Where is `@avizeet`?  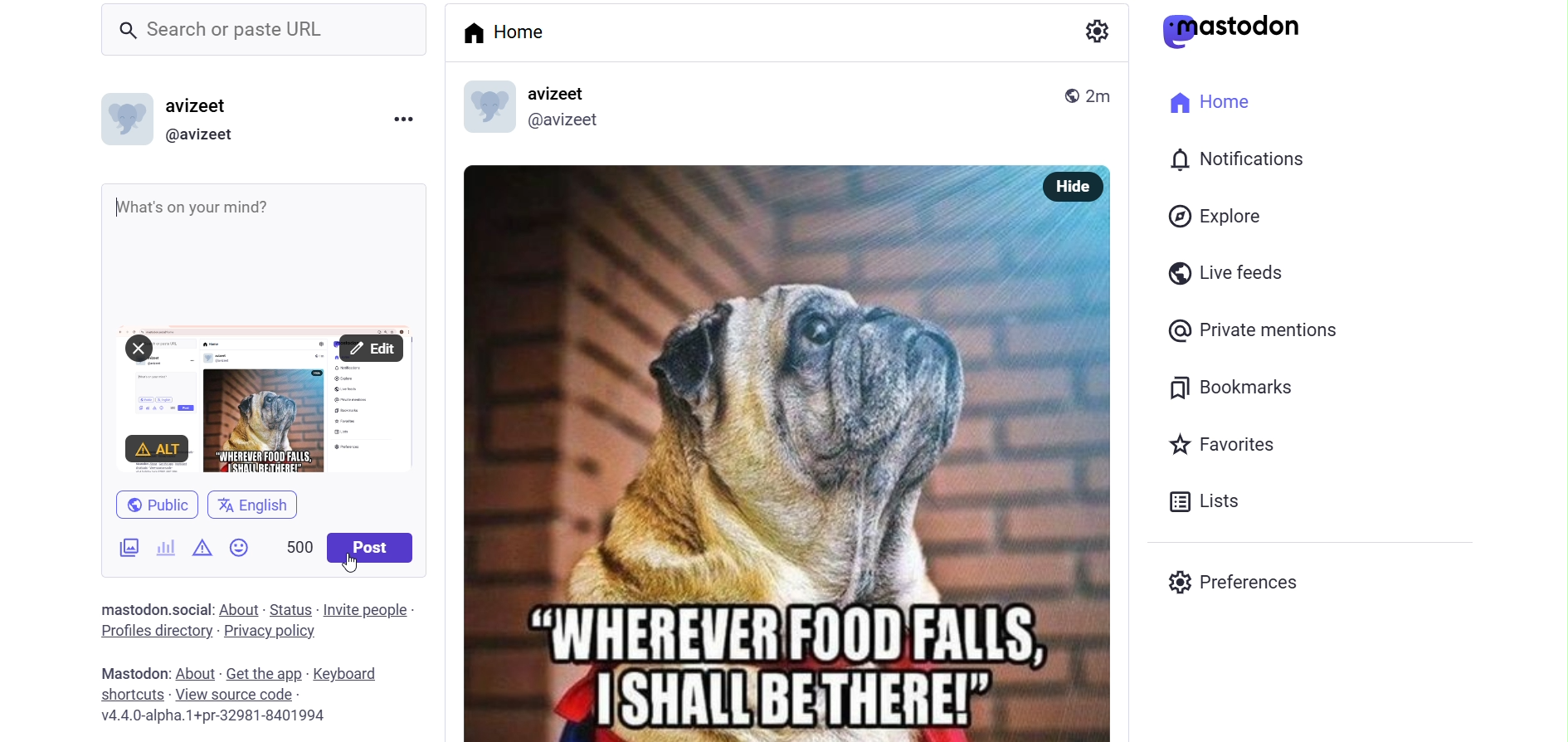 @avizeet is located at coordinates (206, 135).